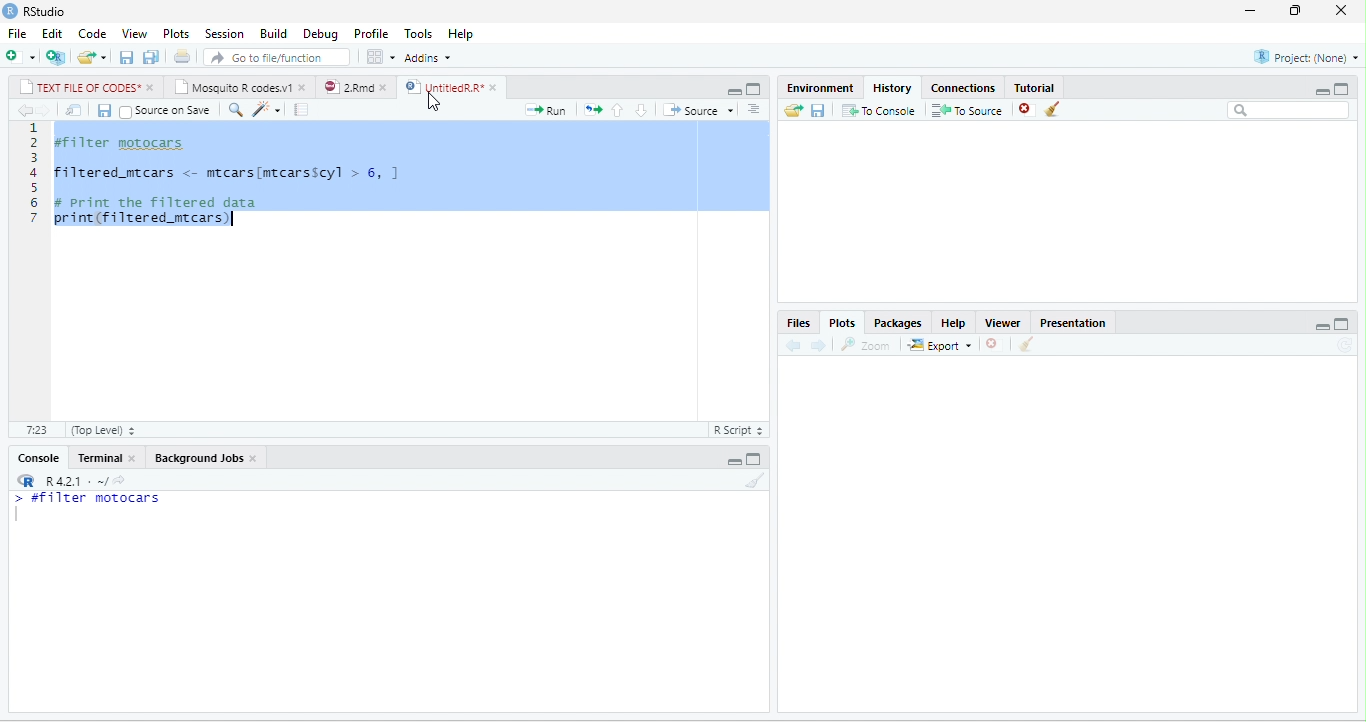 The width and height of the screenshot is (1366, 722). What do you see at coordinates (75, 480) in the screenshot?
I see `R 4.2.1 ~/` at bounding box center [75, 480].